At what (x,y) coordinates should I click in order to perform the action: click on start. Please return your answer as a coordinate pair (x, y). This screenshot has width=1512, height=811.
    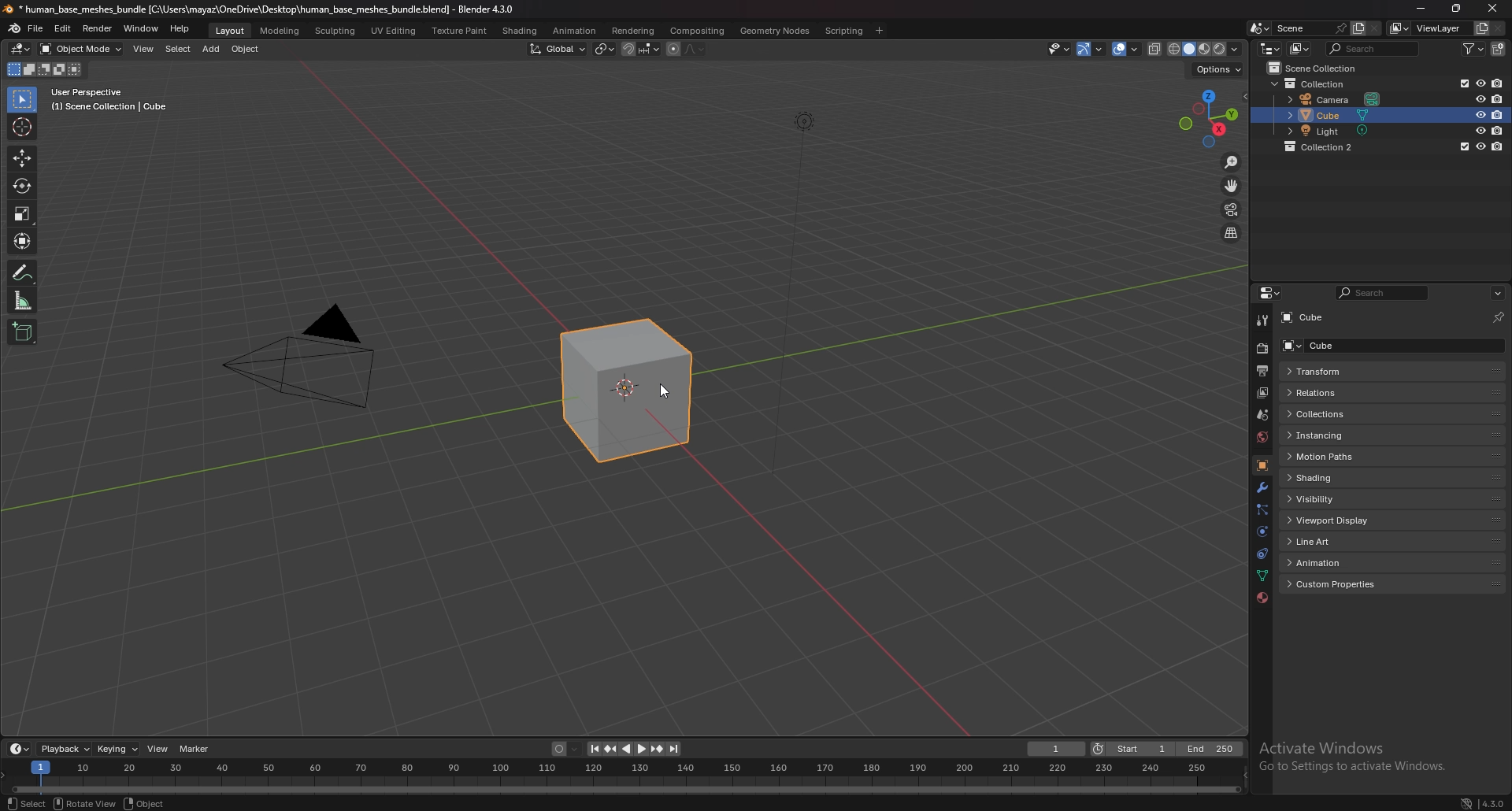
    Looking at the image, I should click on (1131, 749).